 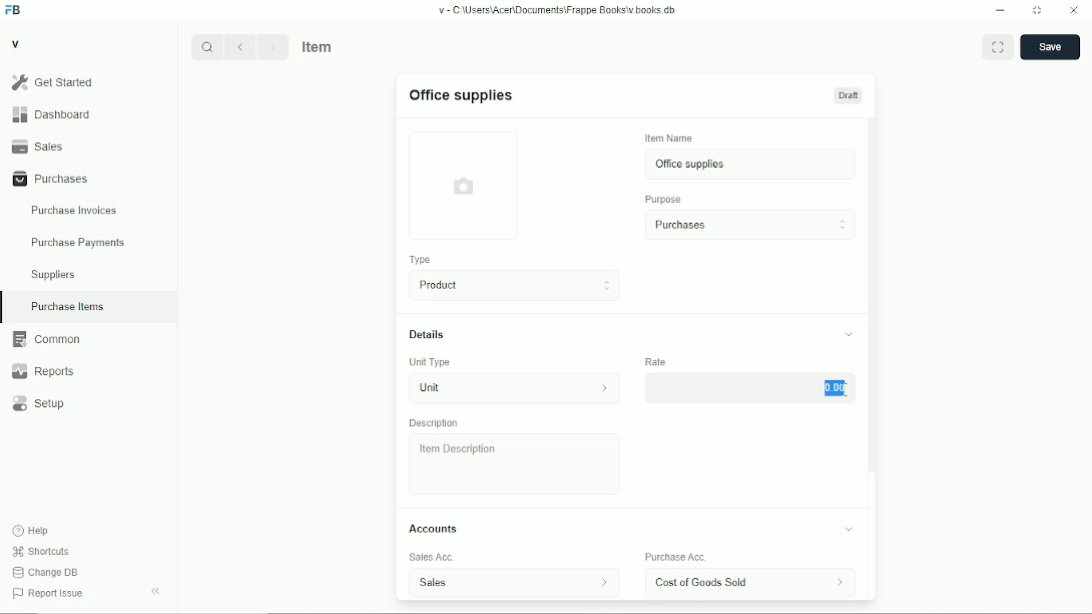 What do you see at coordinates (844, 390) in the screenshot?
I see `cursor` at bounding box center [844, 390].